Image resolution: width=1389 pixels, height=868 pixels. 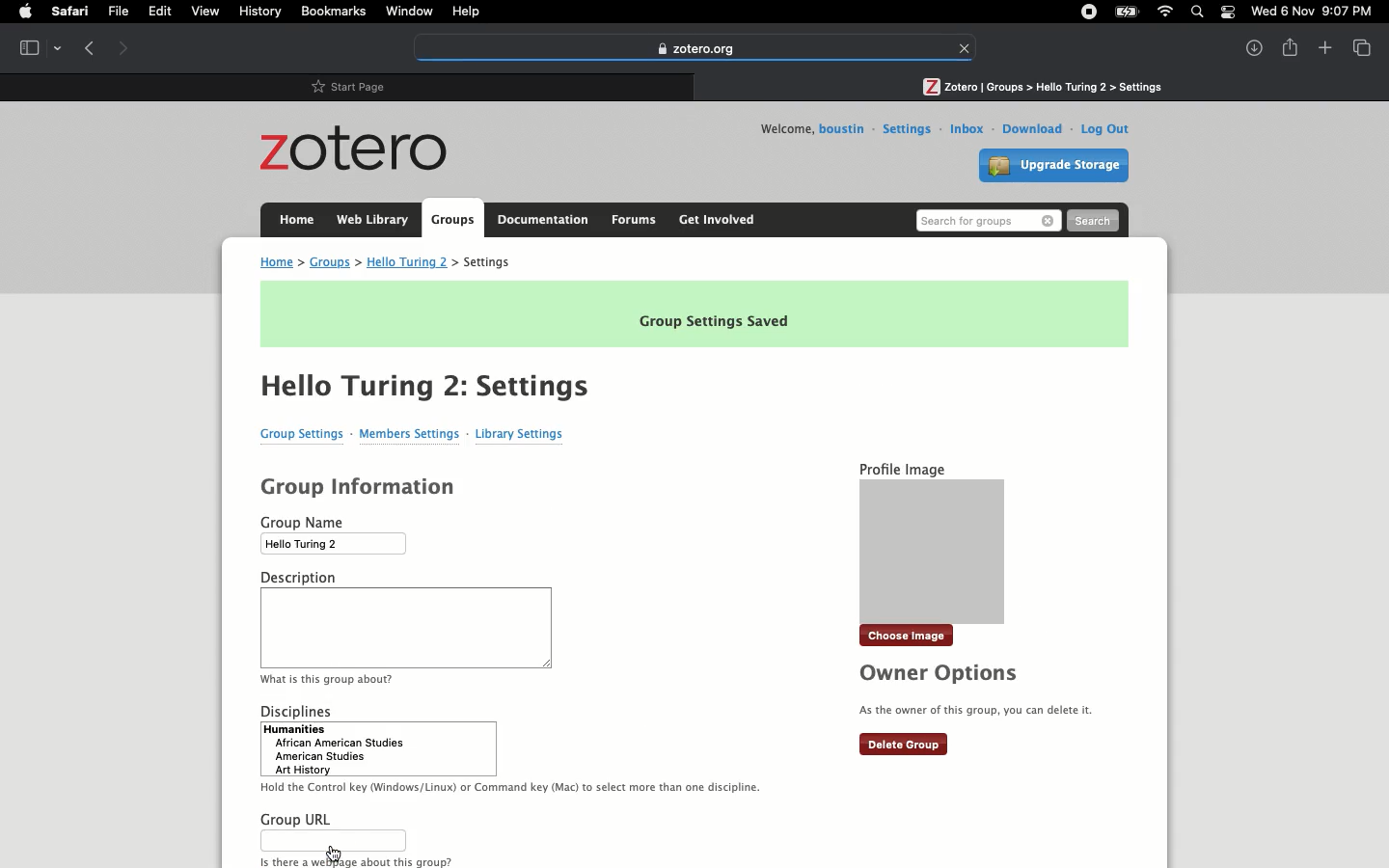 I want to click on Settings, so click(x=907, y=129).